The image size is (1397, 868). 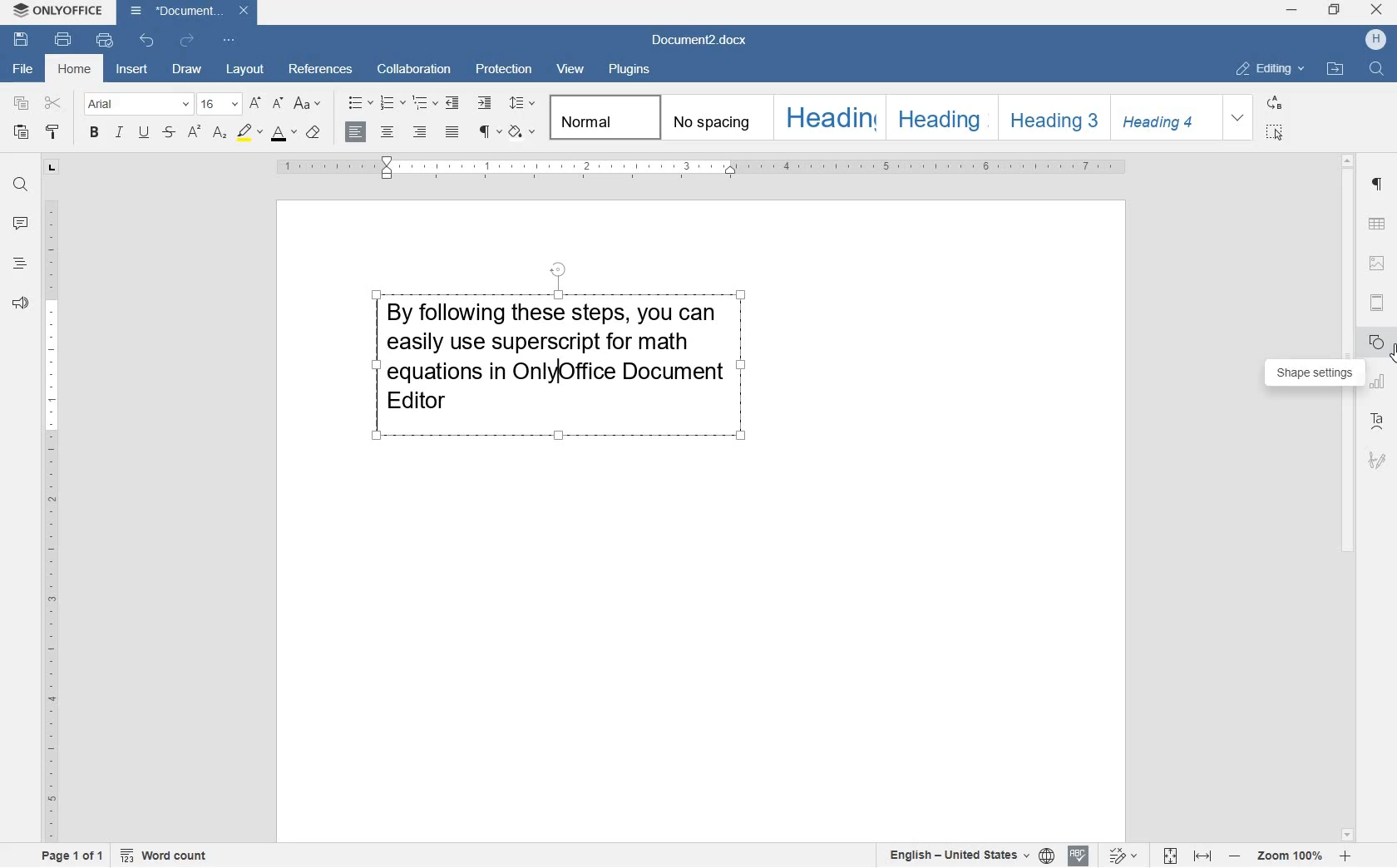 What do you see at coordinates (828, 117) in the screenshot?
I see `HEADING 1` at bounding box center [828, 117].